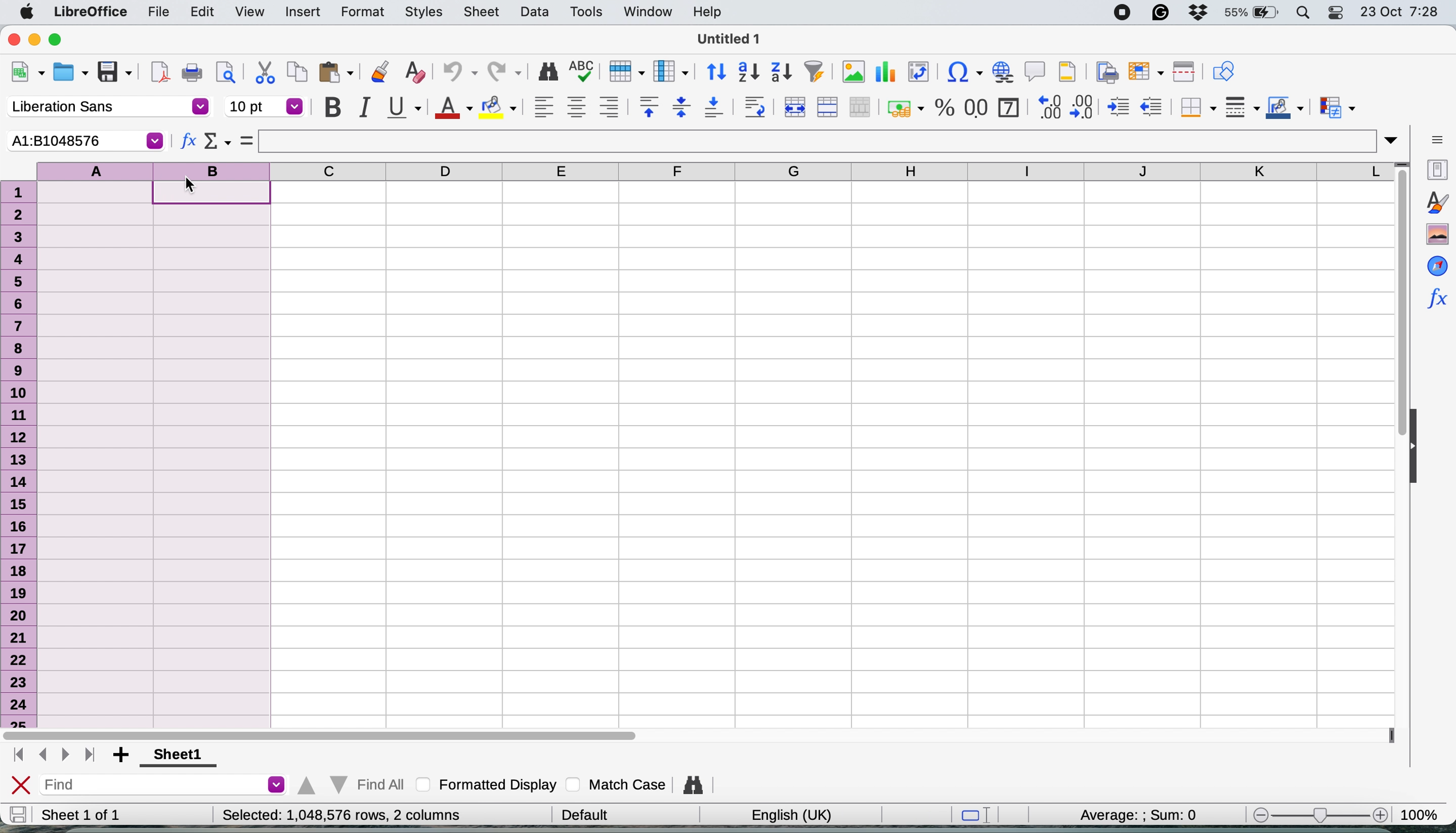  What do you see at coordinates (1436, 298) in the screenshot?
I see `function wizard` at bounding box center [1436, 298].